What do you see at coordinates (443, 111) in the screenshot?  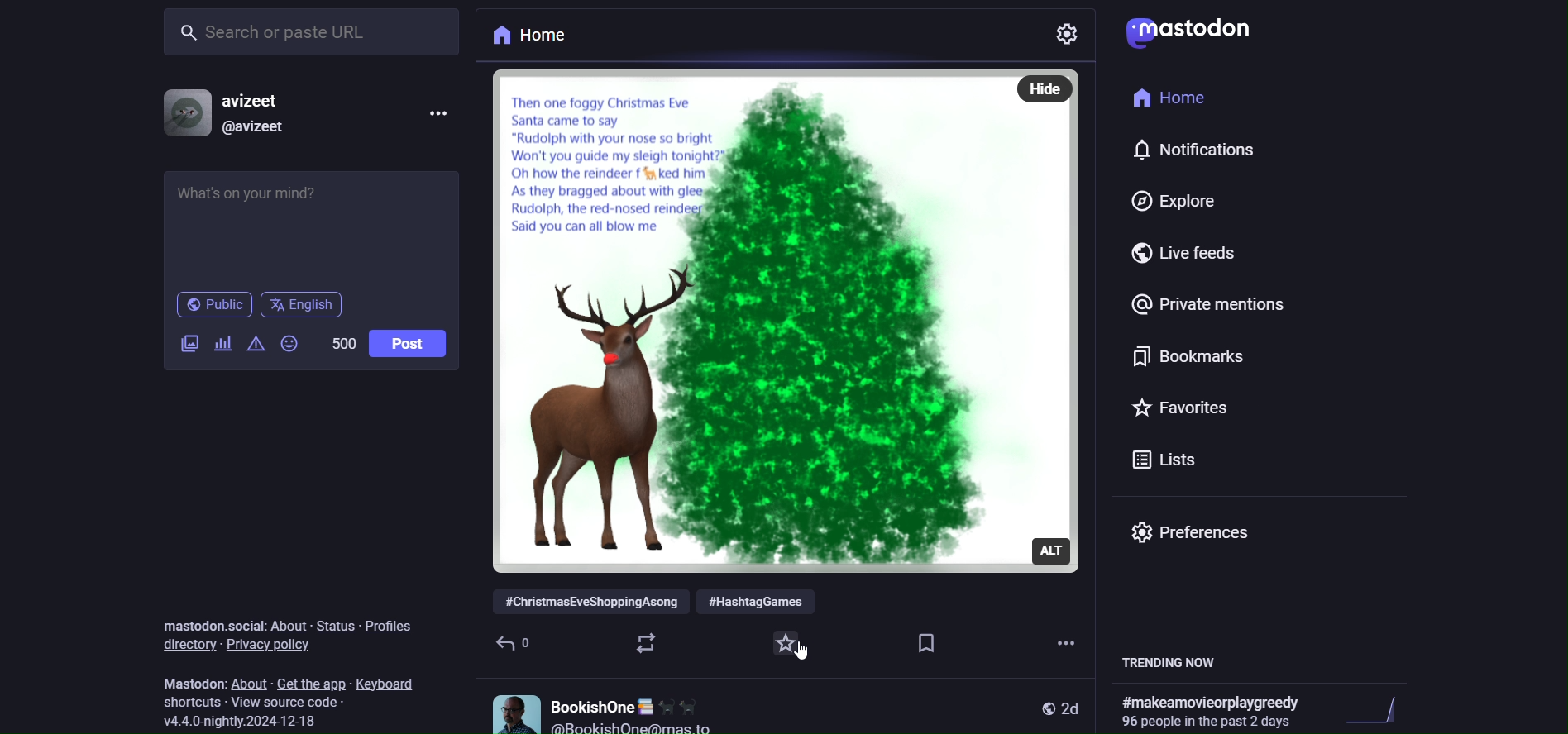 I see `more` at bounding box center [443, 111].